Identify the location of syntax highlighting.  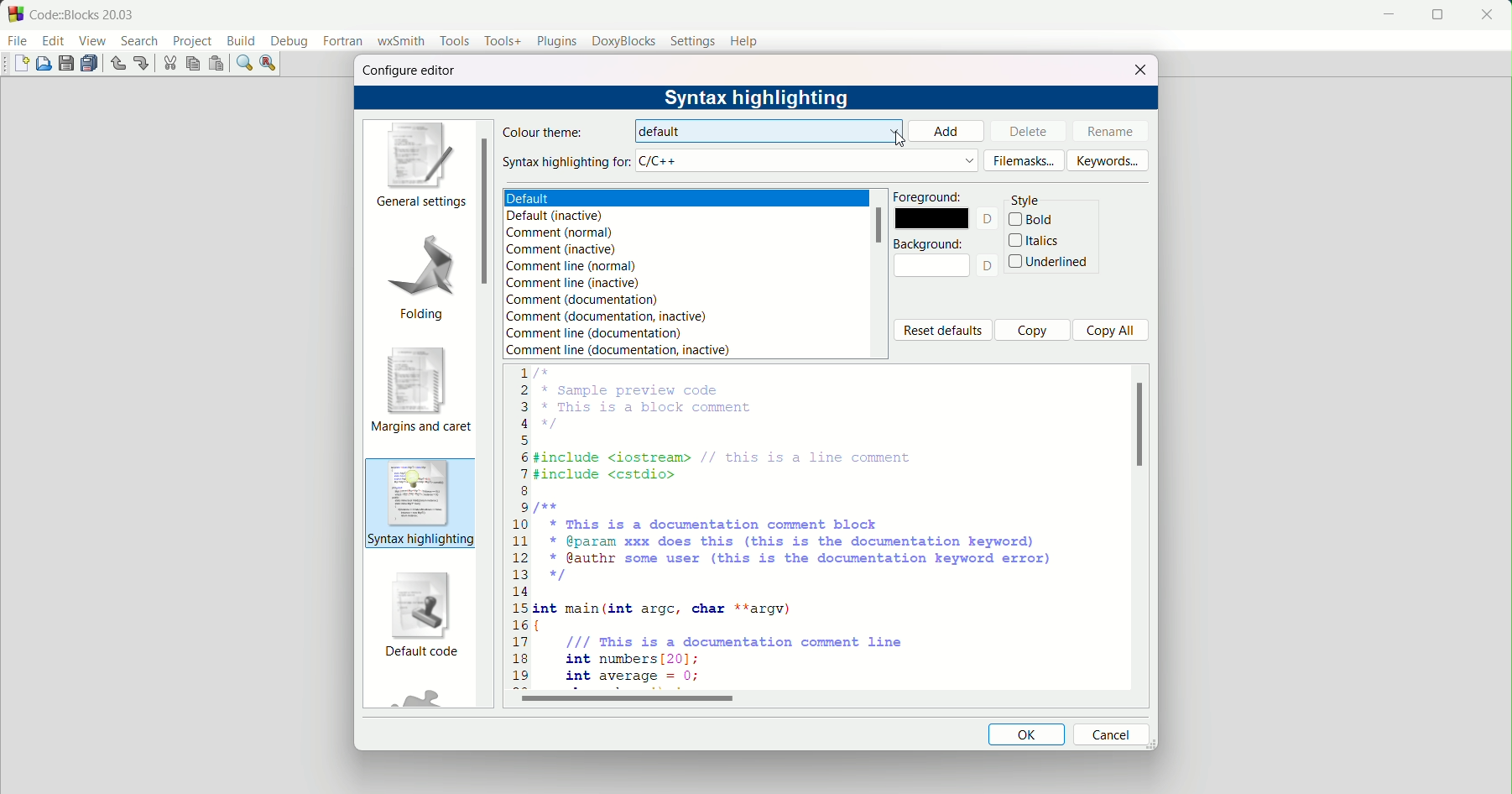
(420, 503).